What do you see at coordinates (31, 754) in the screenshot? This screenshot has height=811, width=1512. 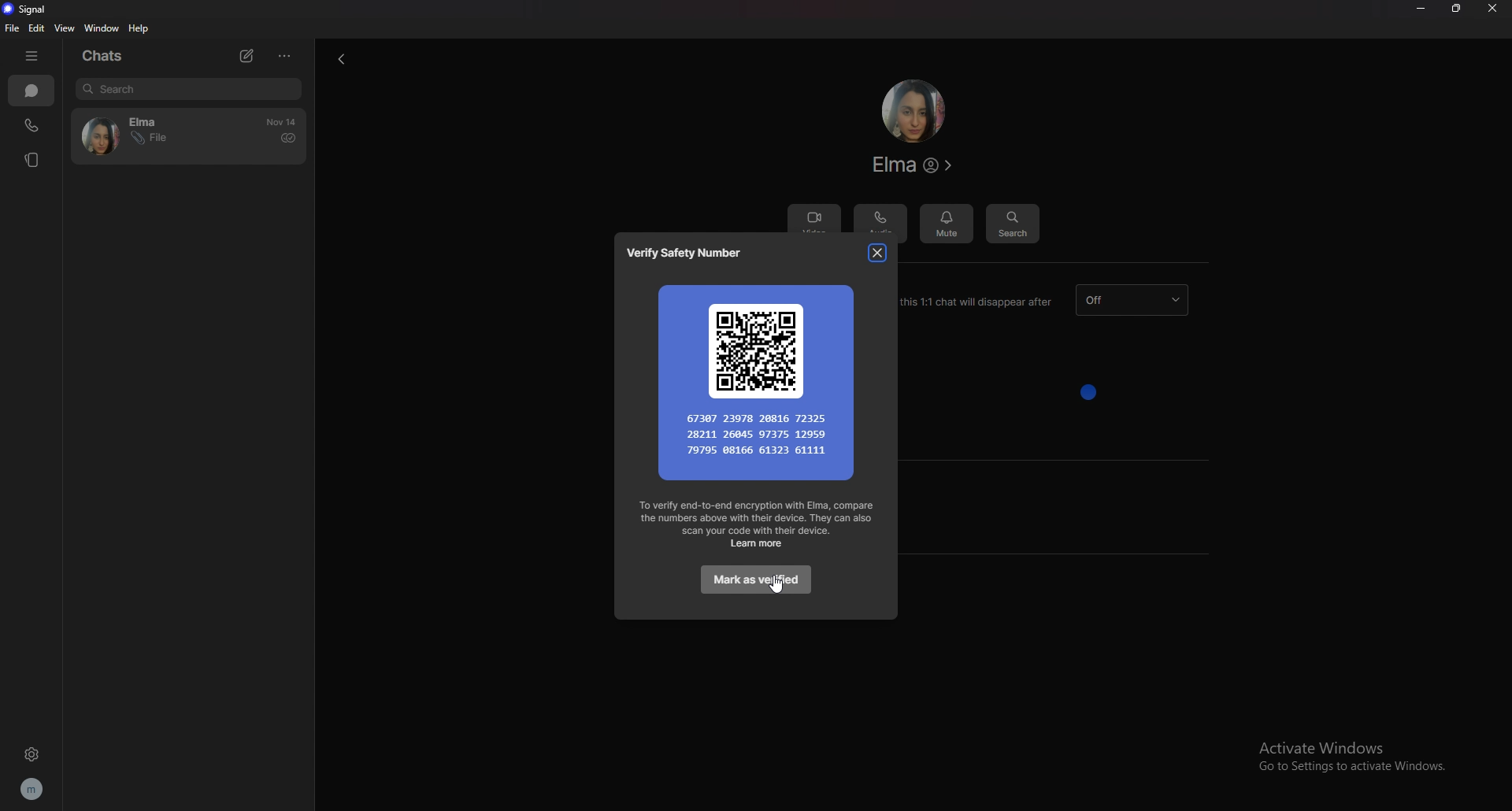 I see `settings` at bounding box center [31, 754].